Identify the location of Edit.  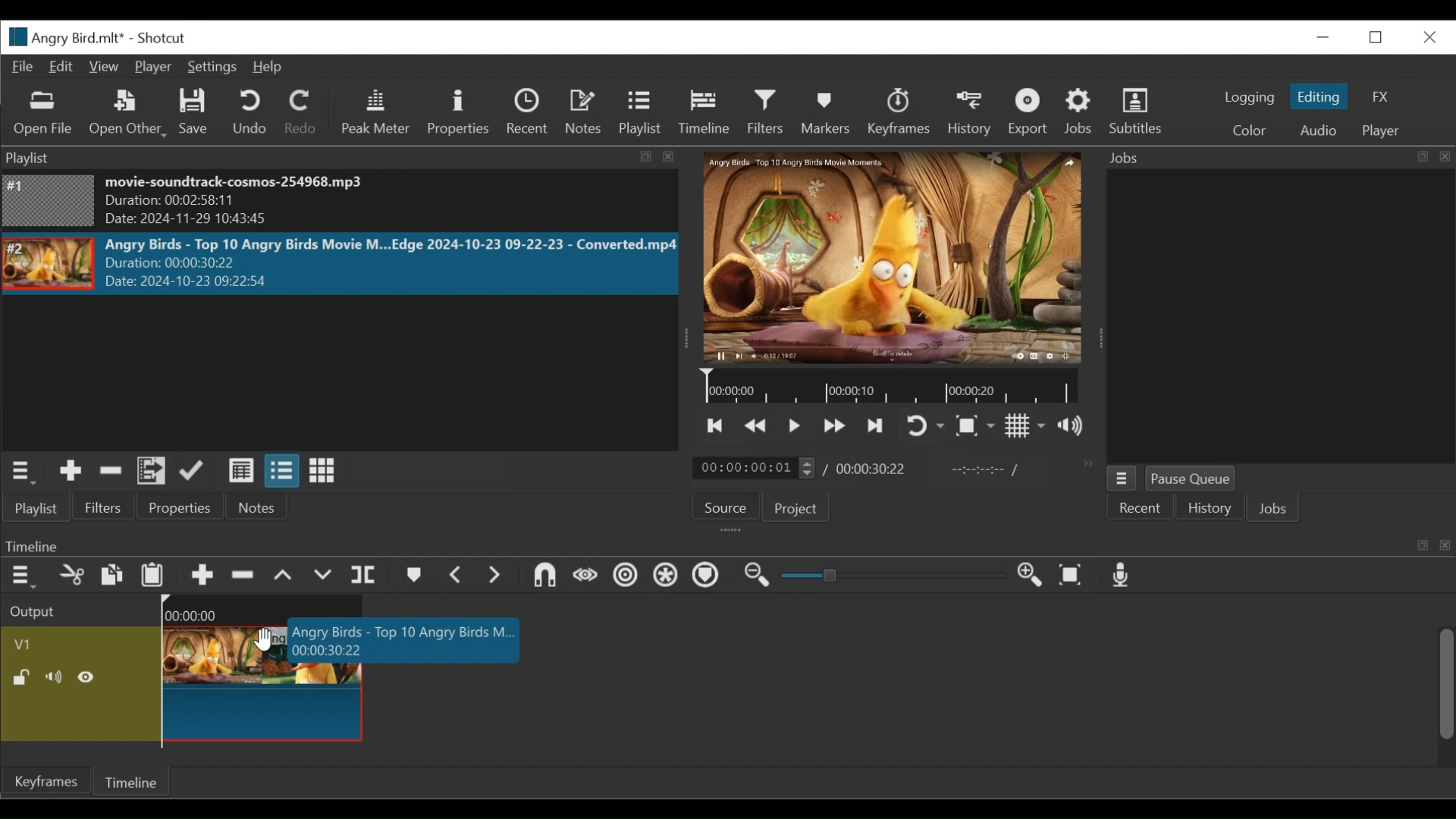
(61, 66).